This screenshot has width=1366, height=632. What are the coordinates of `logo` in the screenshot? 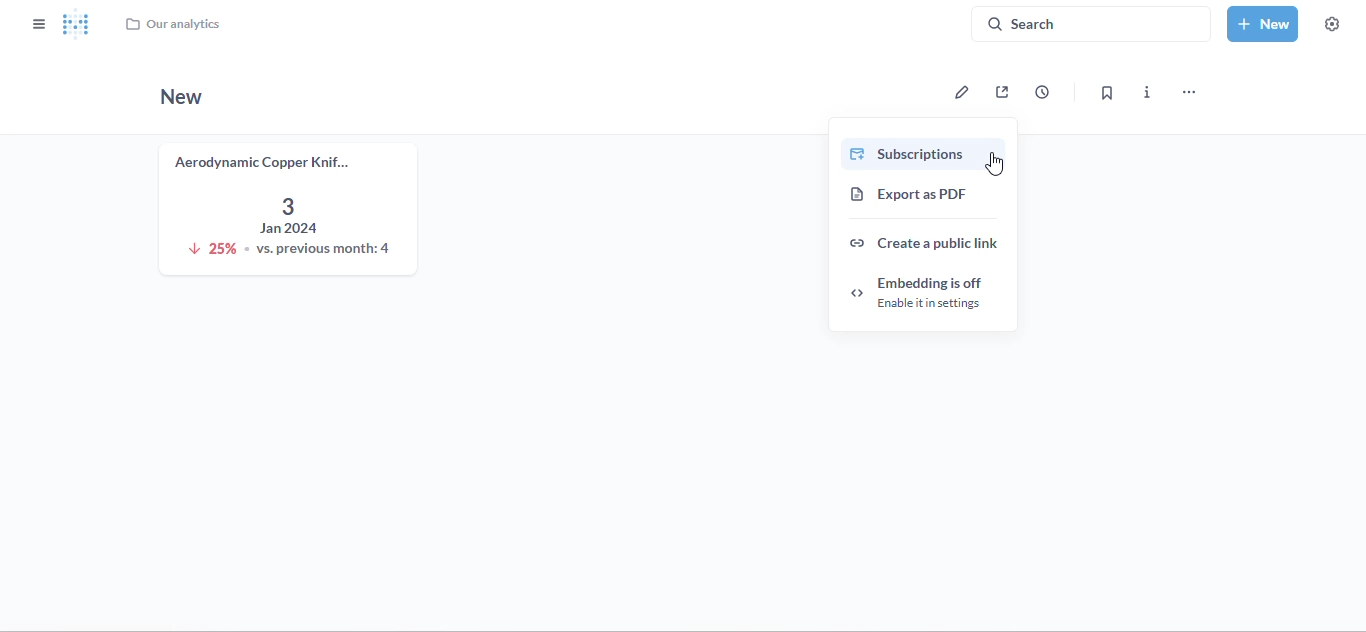 It's located at (77, 23).